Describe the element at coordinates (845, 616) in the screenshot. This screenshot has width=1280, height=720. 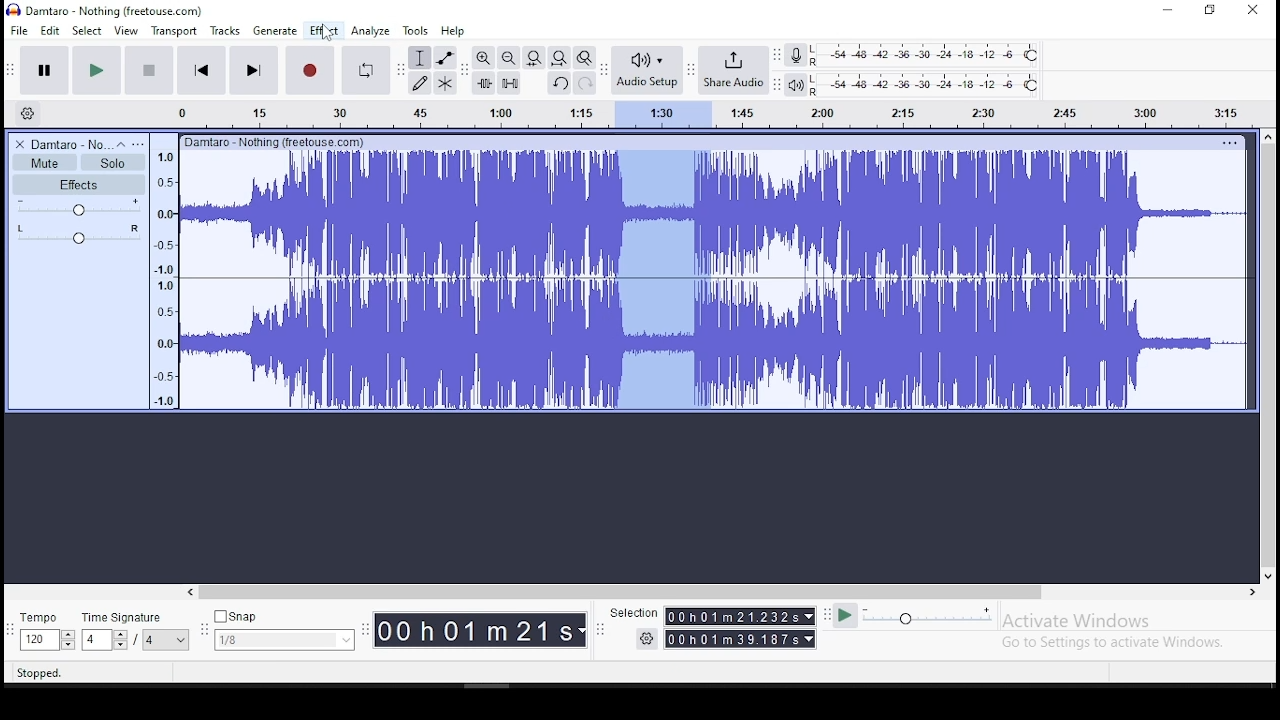
I see `Play` at that location.